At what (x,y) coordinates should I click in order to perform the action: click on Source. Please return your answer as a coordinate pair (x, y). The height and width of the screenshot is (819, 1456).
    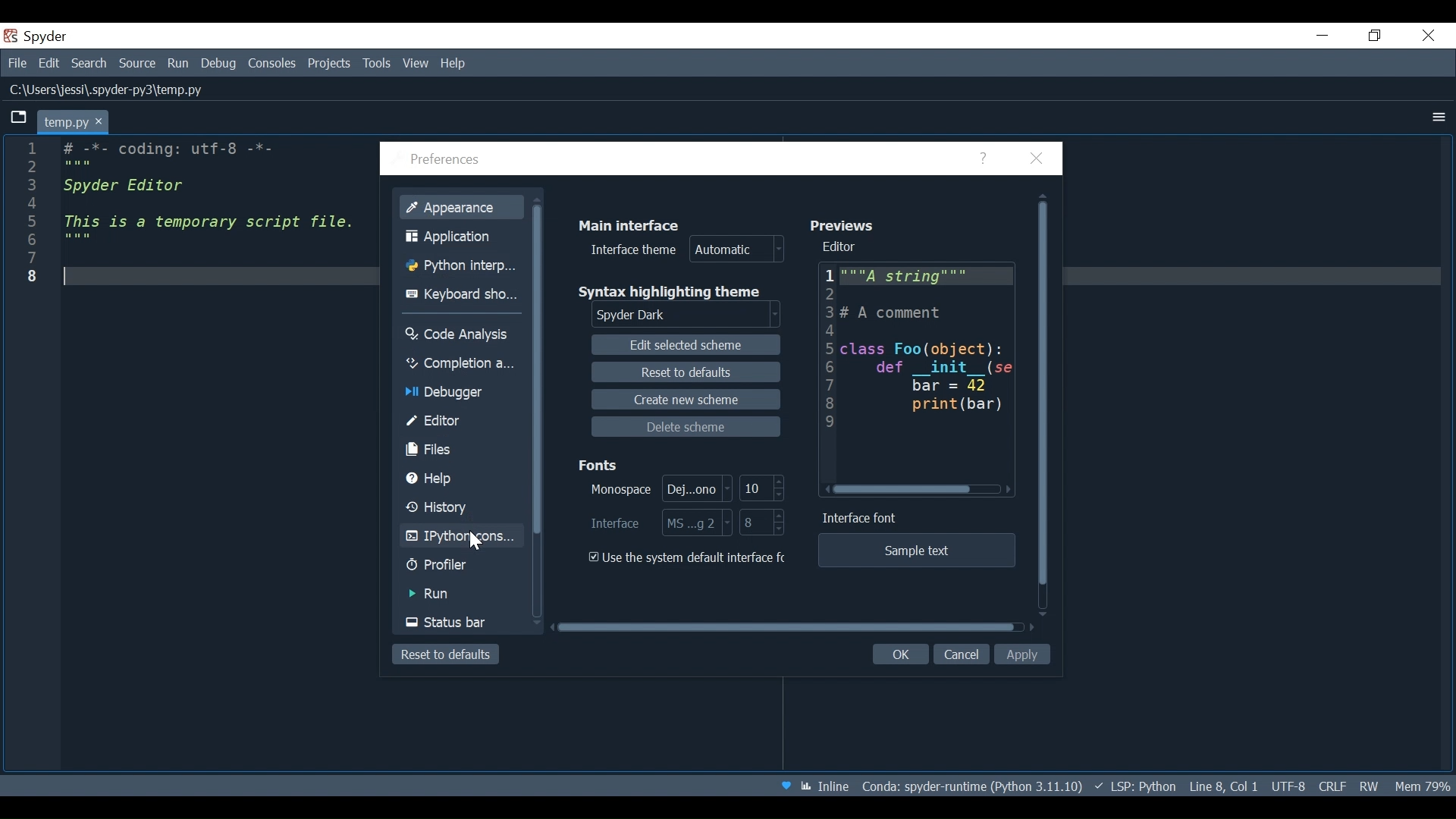
    Looking at the image, I should click on (133, 64).